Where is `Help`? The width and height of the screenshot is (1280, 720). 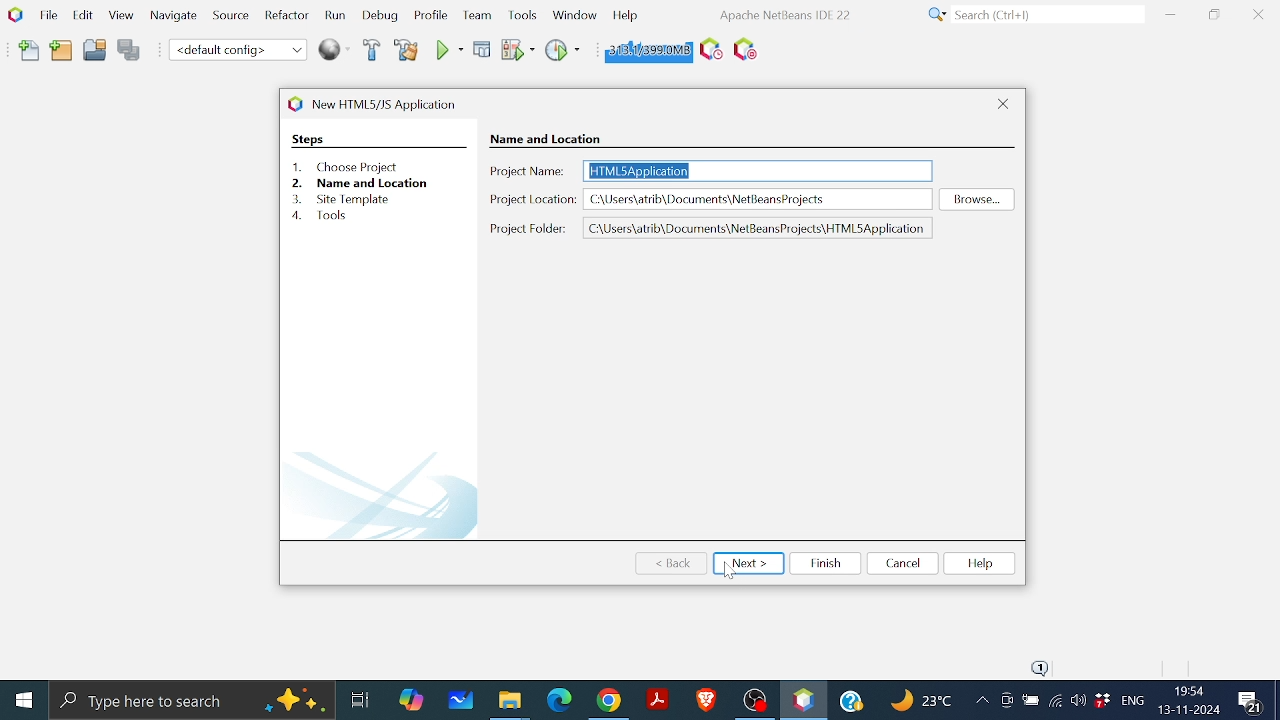
Help is located at coordinates (854, 698).